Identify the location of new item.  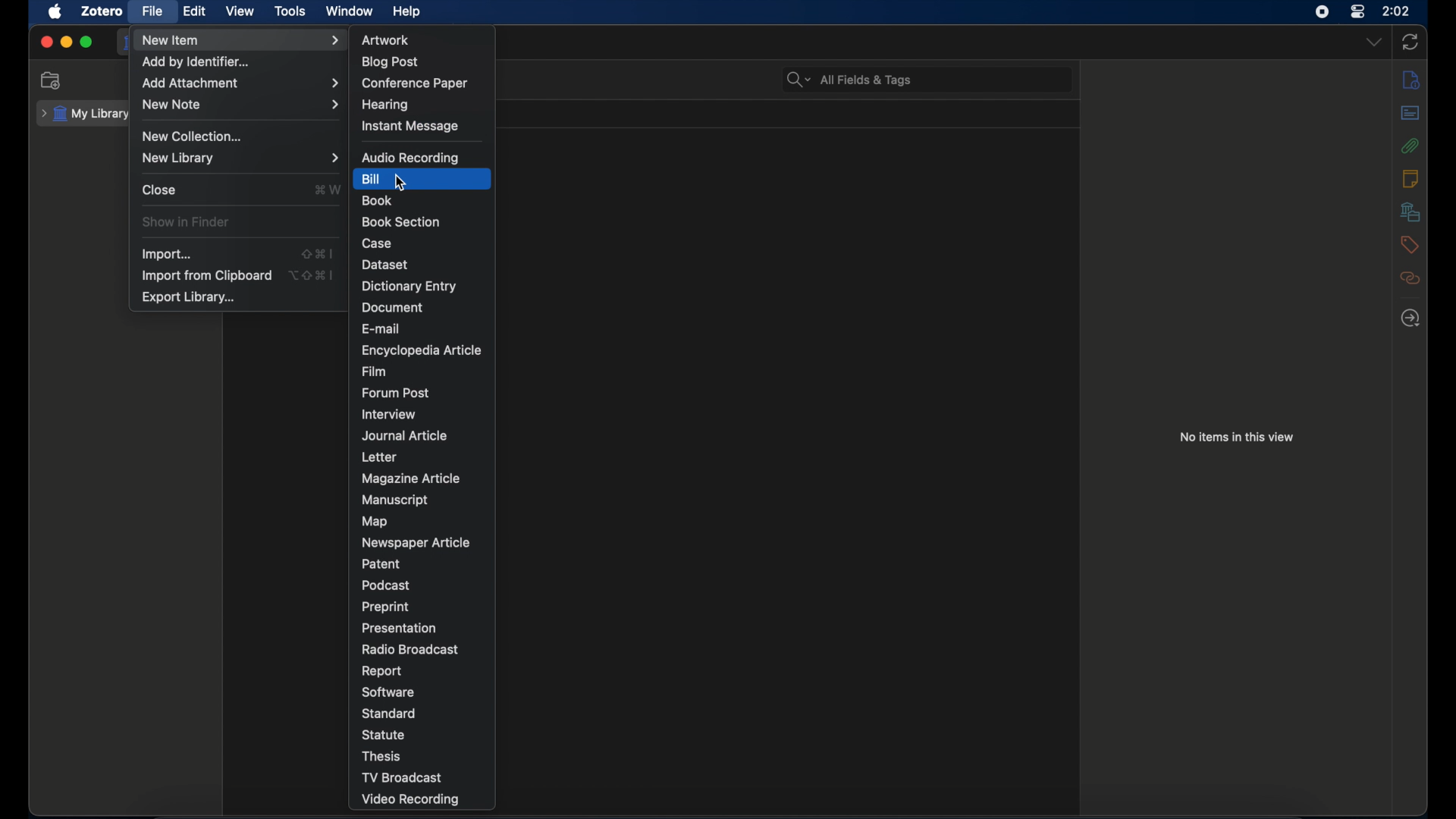
(244, 40).